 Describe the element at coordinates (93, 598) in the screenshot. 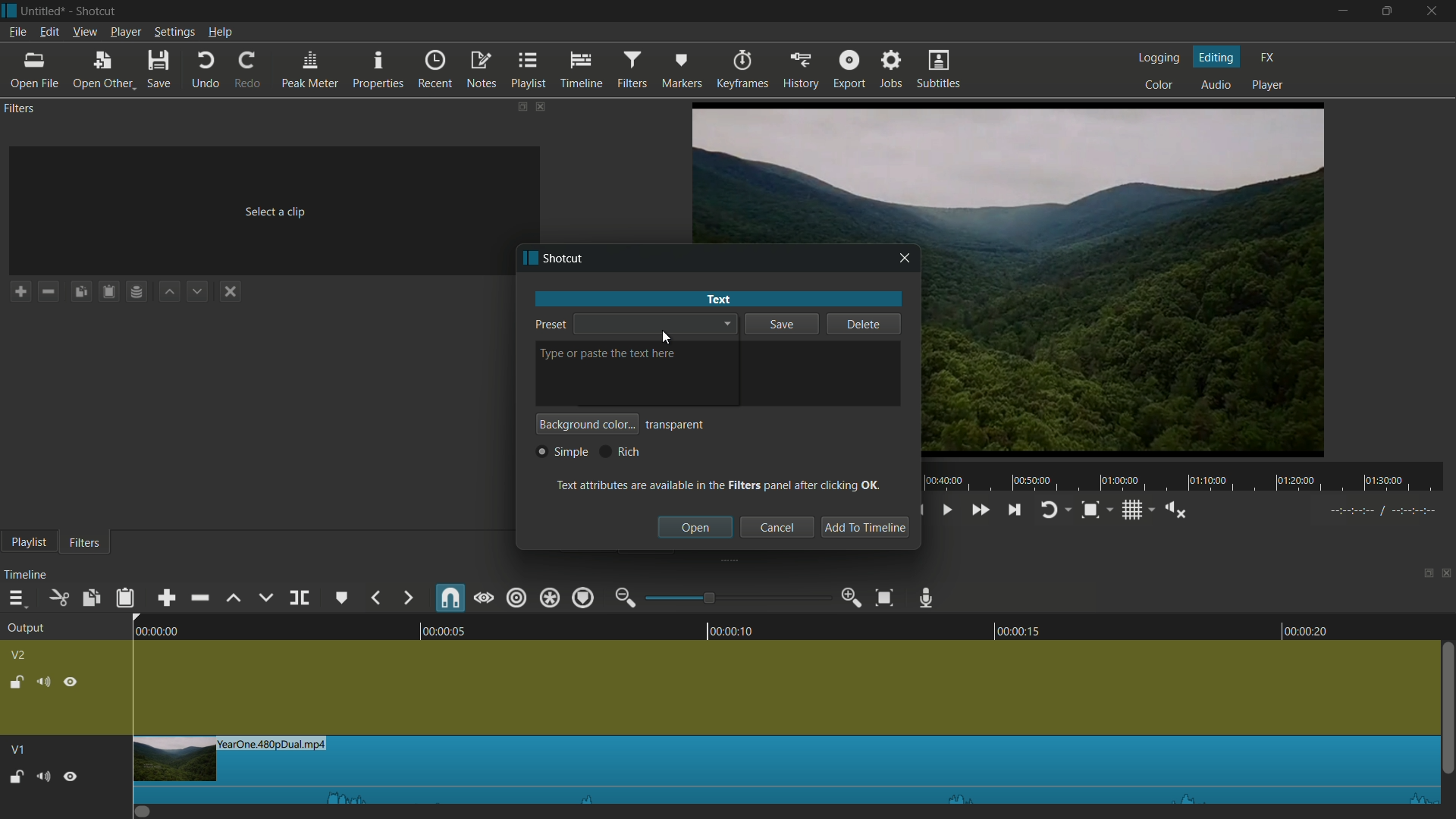

I see `copy` at that location.